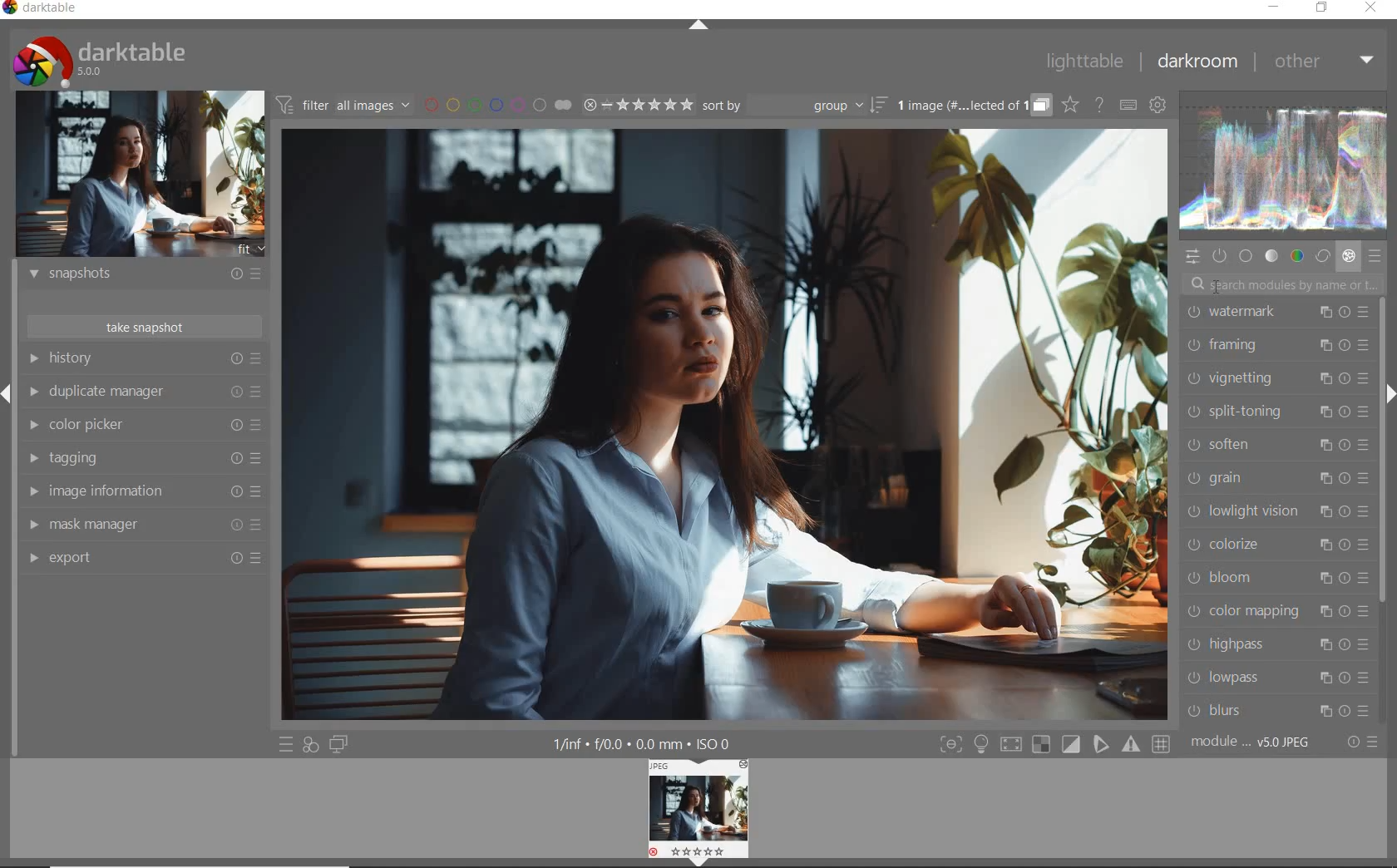 The height and width of the screenshot is (868, 1397). I want to click on color picker, so click(142, 427).